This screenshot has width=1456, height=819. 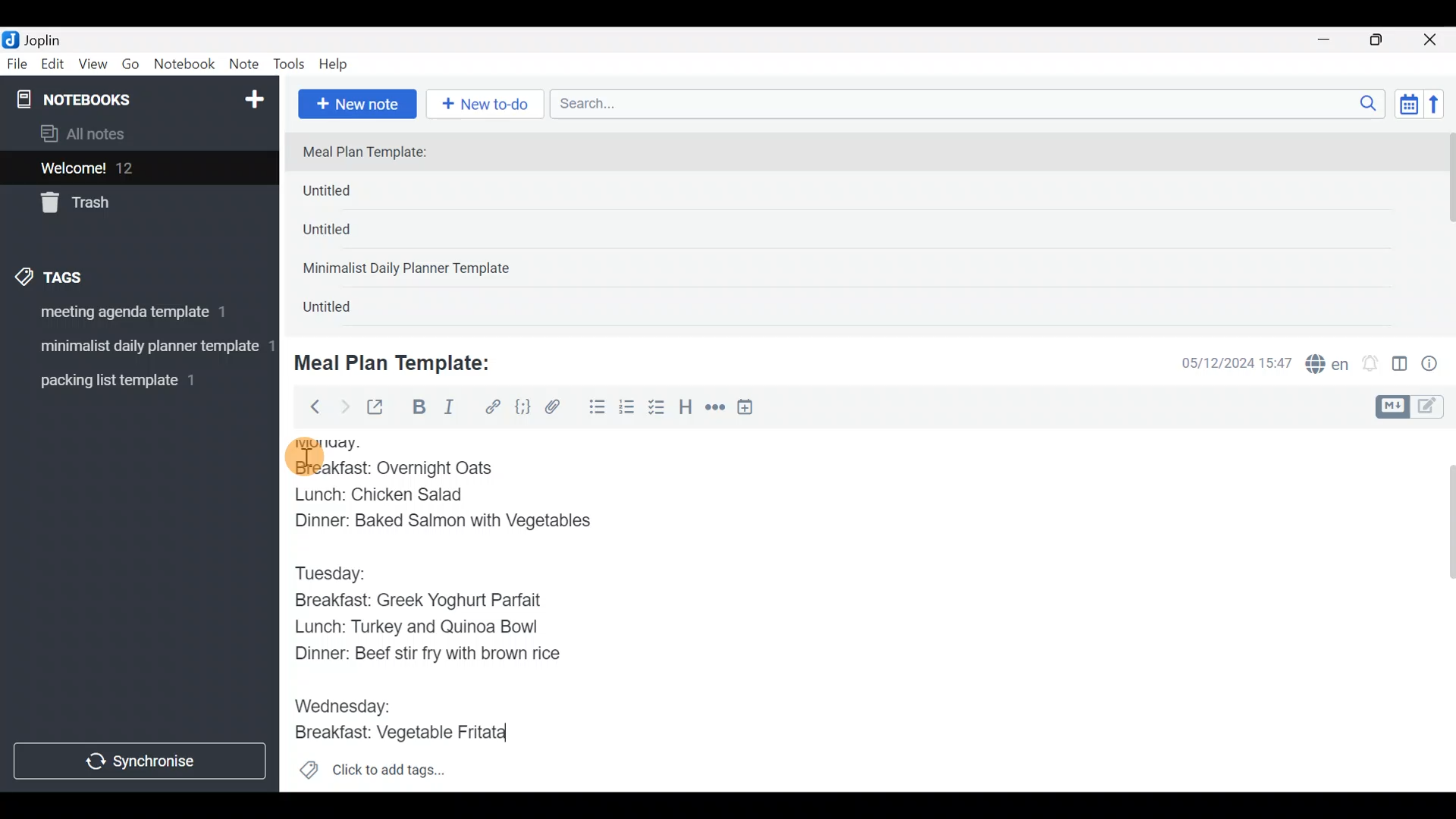 I want to click on Synchronize, so click(x=142, y=761).